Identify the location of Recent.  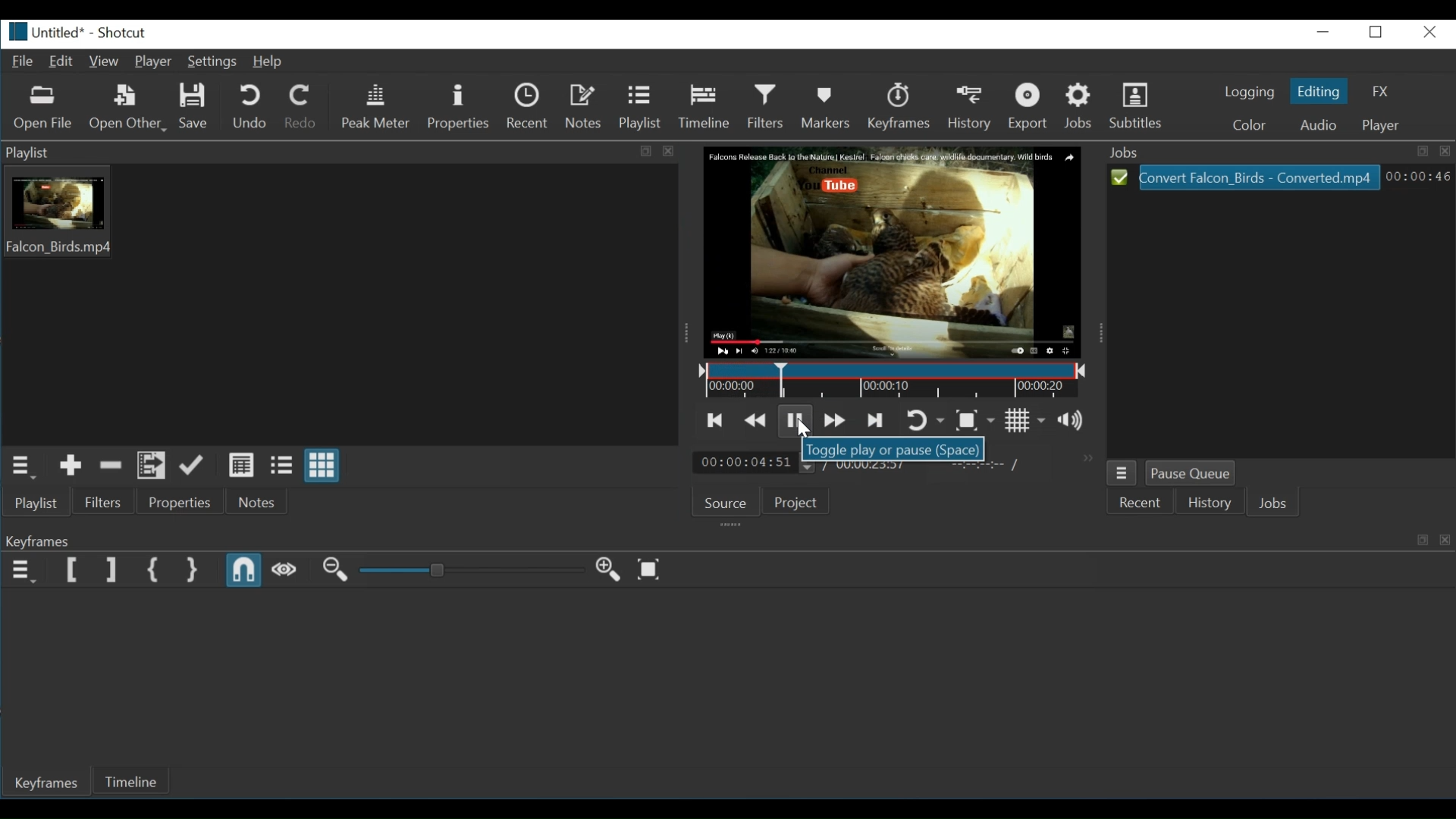
(529, 106).